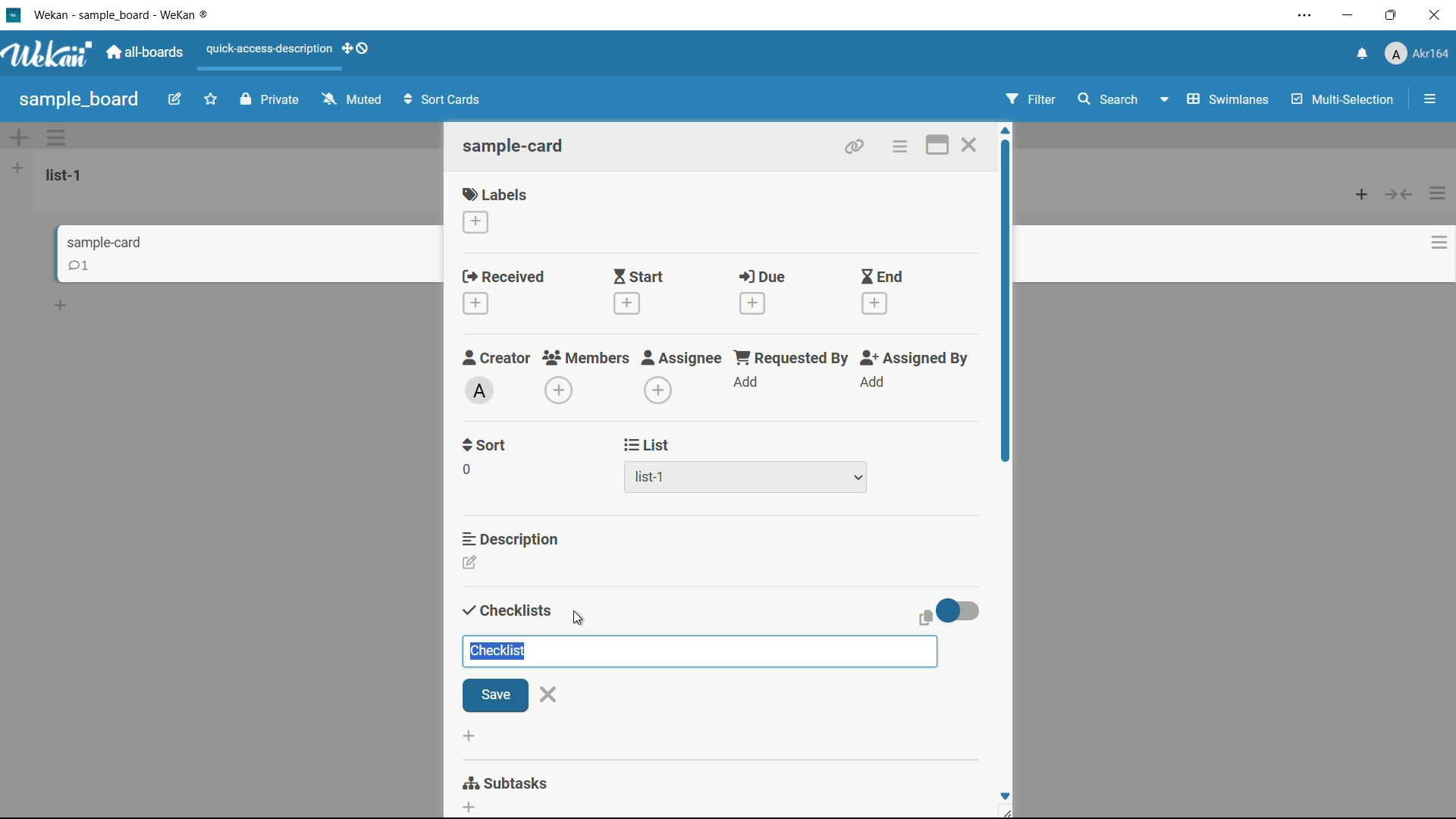 The width and height of the screenshot is (1456, 819). I want to click on edit, so click(165, 99).